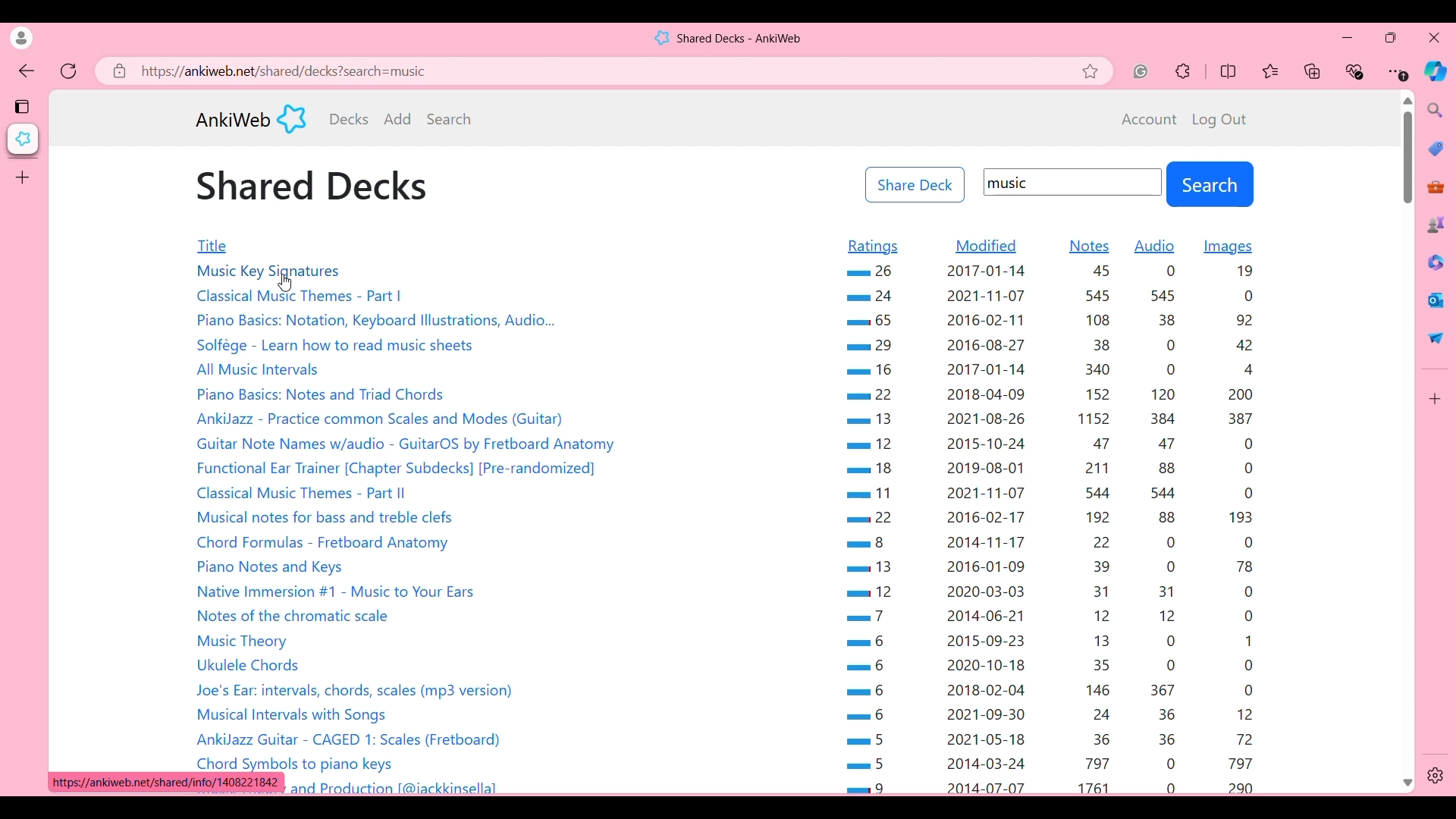 The width and height of the screenshot is (1456, 819). What do you see at coordinates (271, 271) in the screenshot?
I see `Music Key Signatures` at bounding box center [271, 271].